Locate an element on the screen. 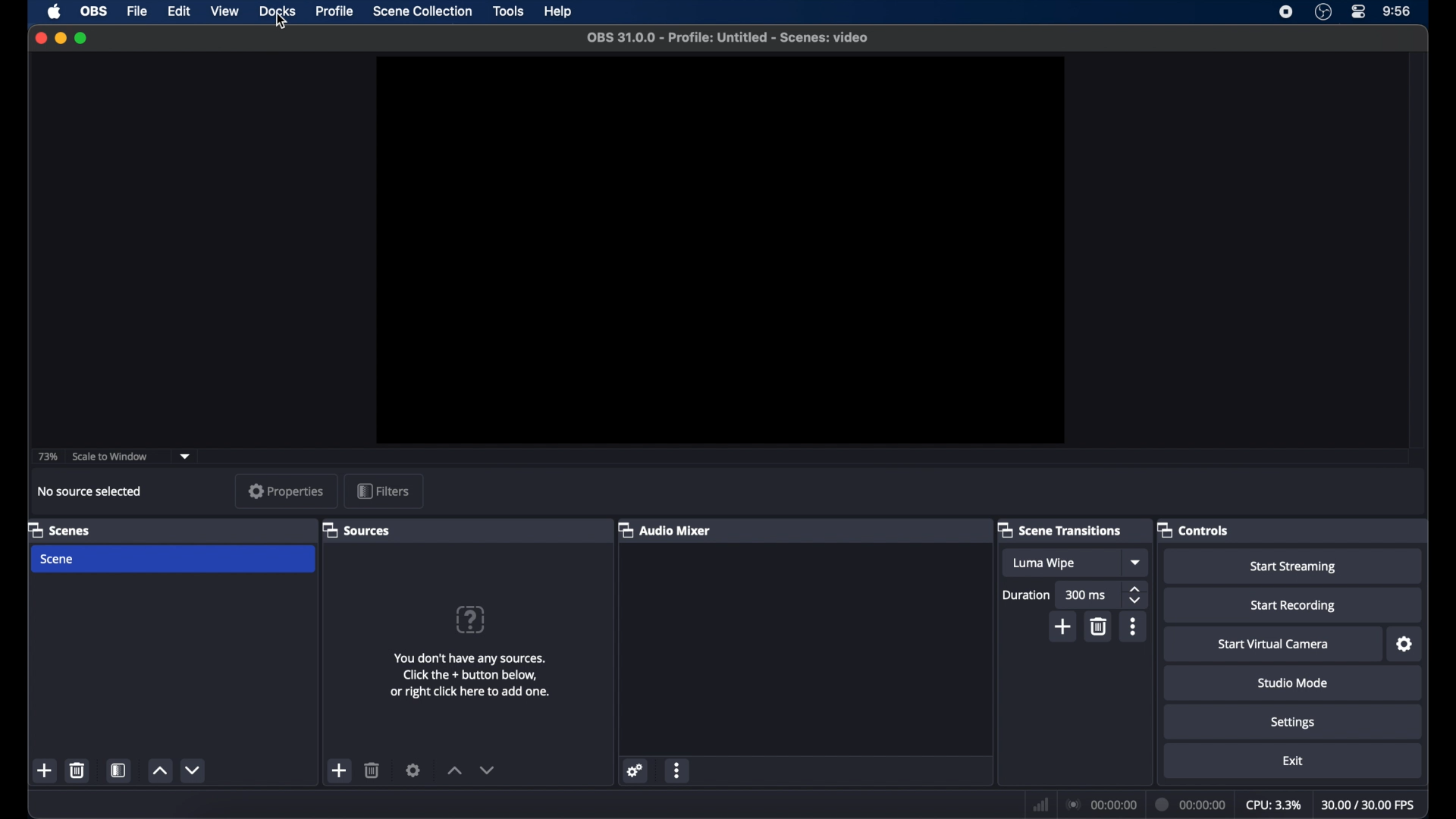  maximize is located at coordinates (80, 38).